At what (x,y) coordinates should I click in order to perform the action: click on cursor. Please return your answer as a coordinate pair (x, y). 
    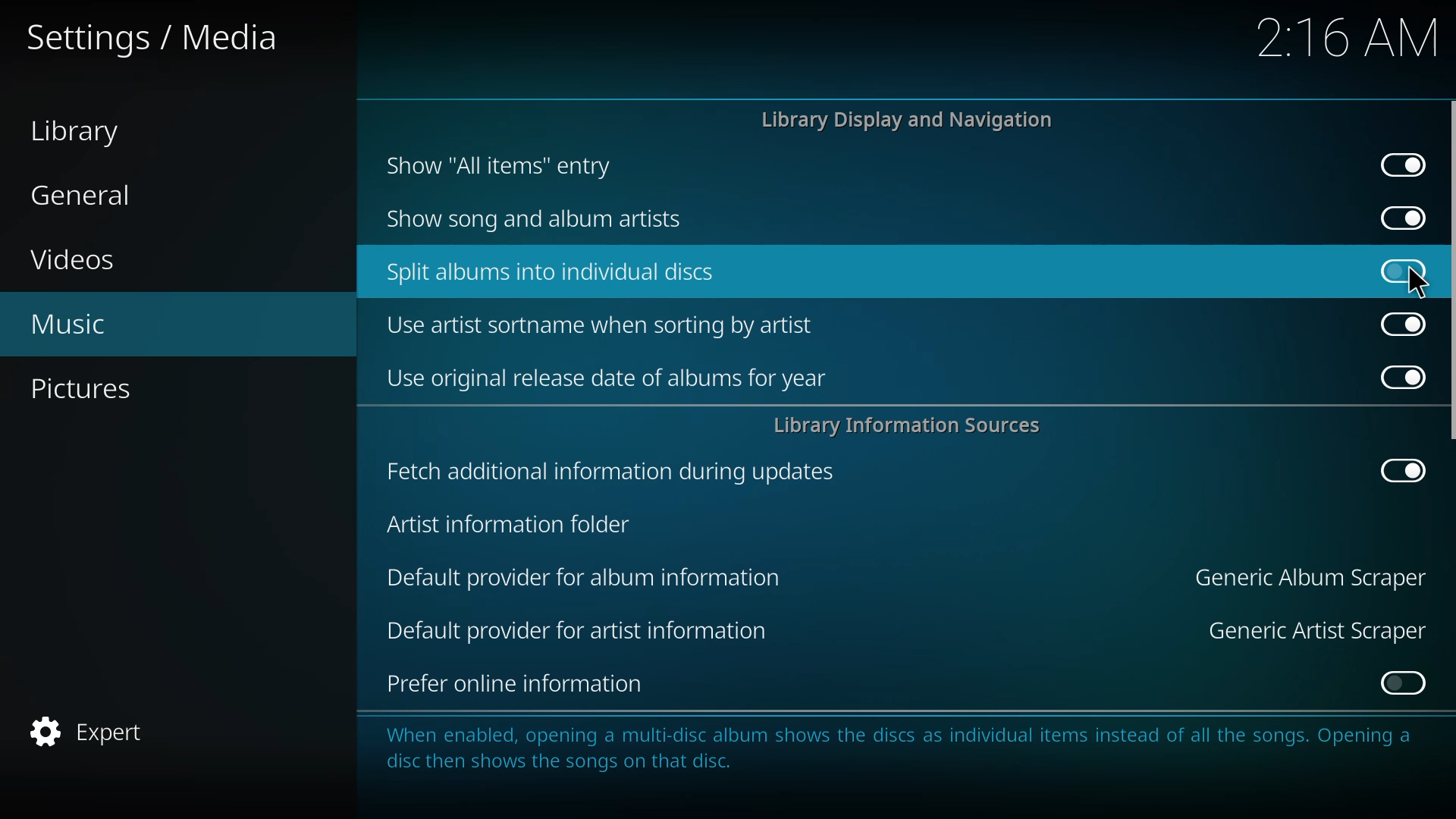
    Looking at the image, I should click on (1420, 283).